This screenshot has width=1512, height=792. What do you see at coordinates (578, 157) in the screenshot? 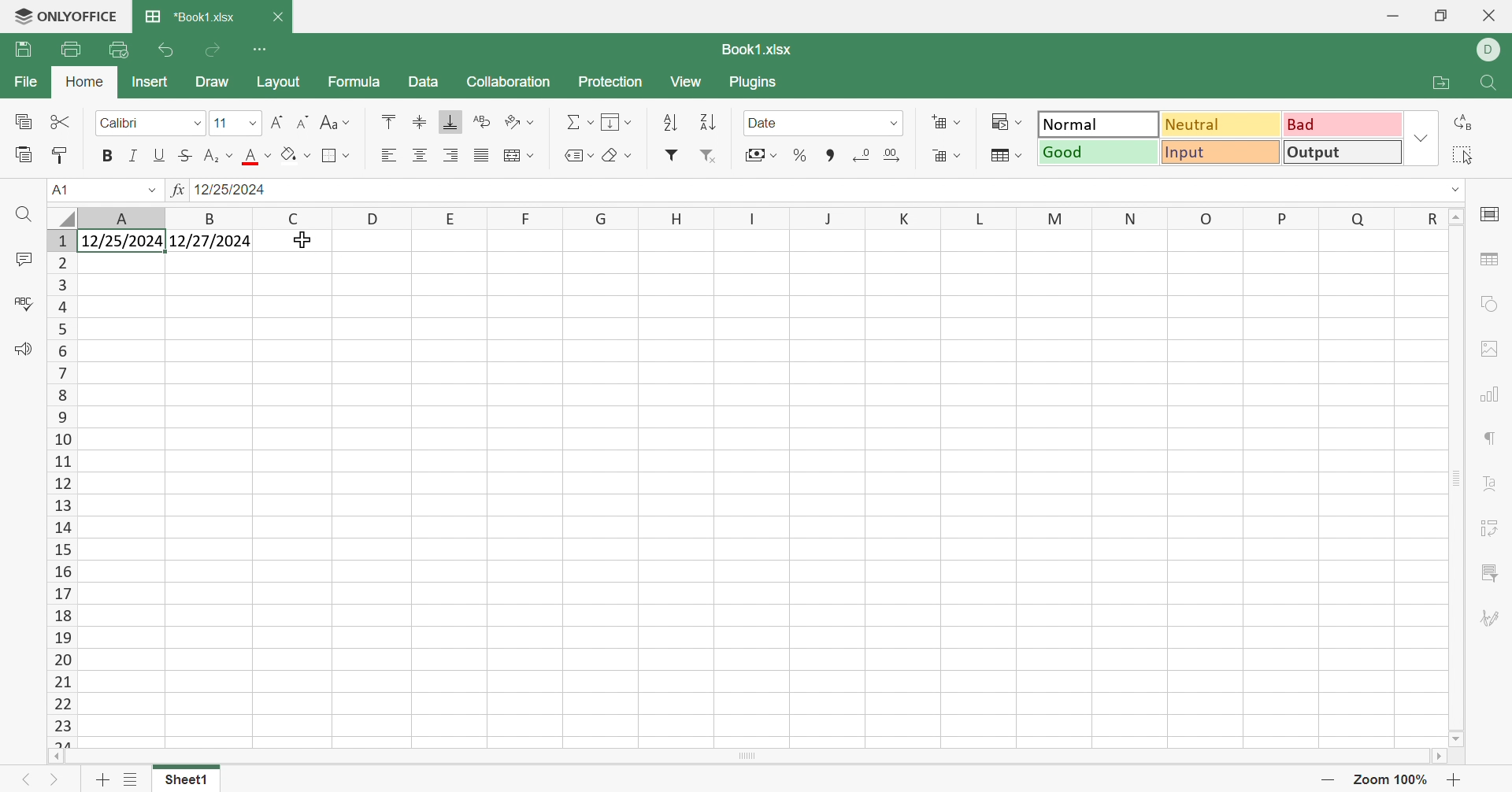
I see `Named ranges` at bounding box center [578, 157].